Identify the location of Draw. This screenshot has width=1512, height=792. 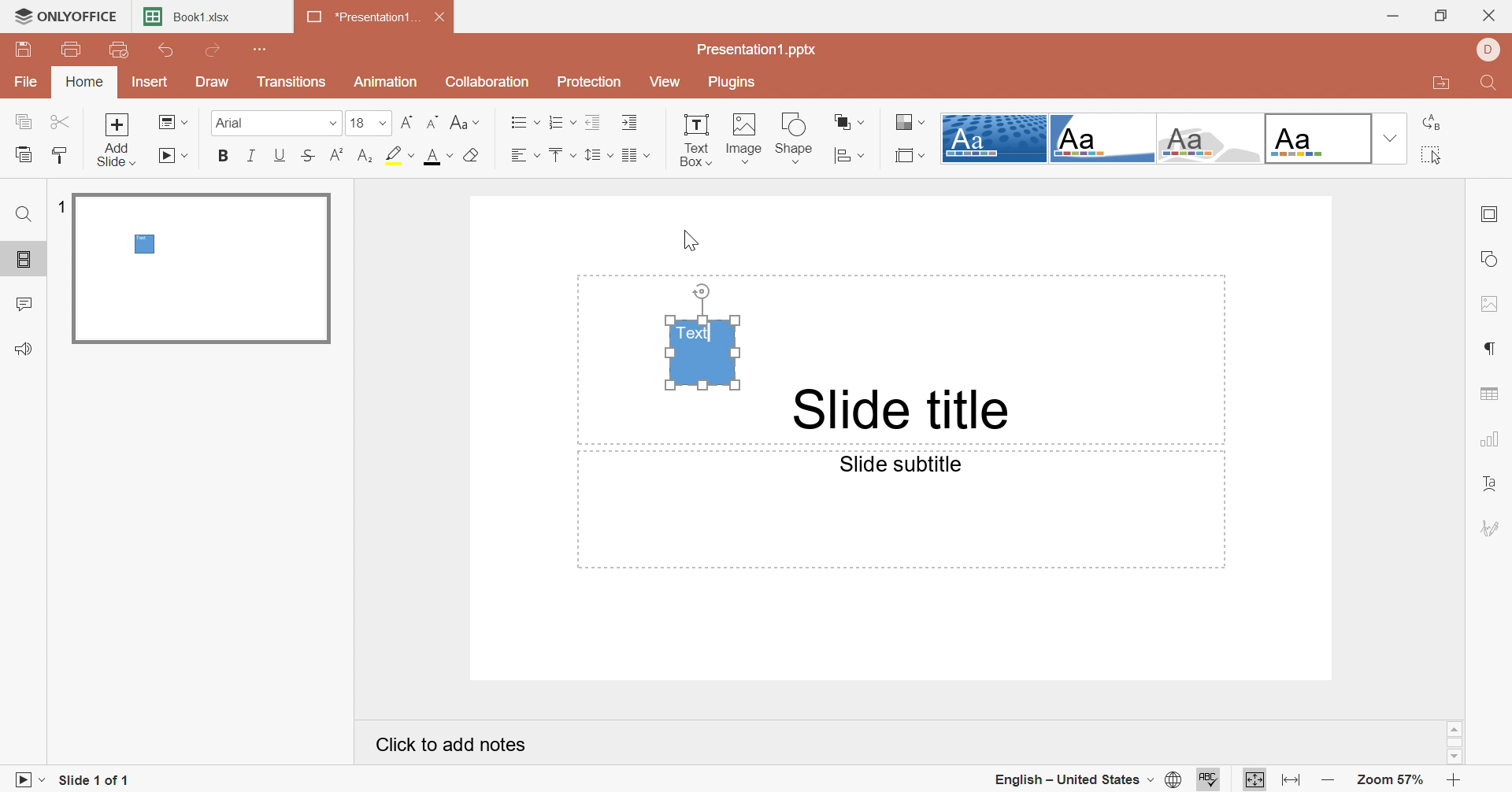
(212, 83).